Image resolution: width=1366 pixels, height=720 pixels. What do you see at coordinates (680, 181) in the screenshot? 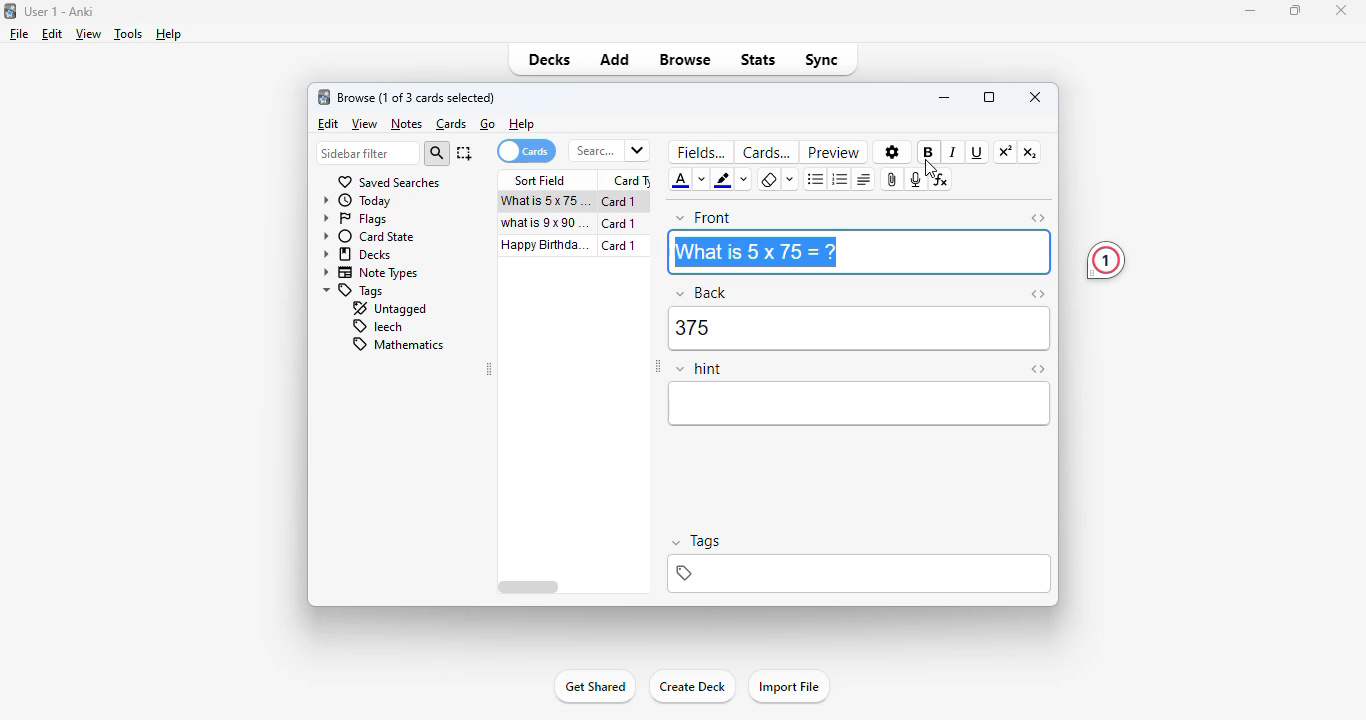
I see `text color` at bounding box center [680, 181].